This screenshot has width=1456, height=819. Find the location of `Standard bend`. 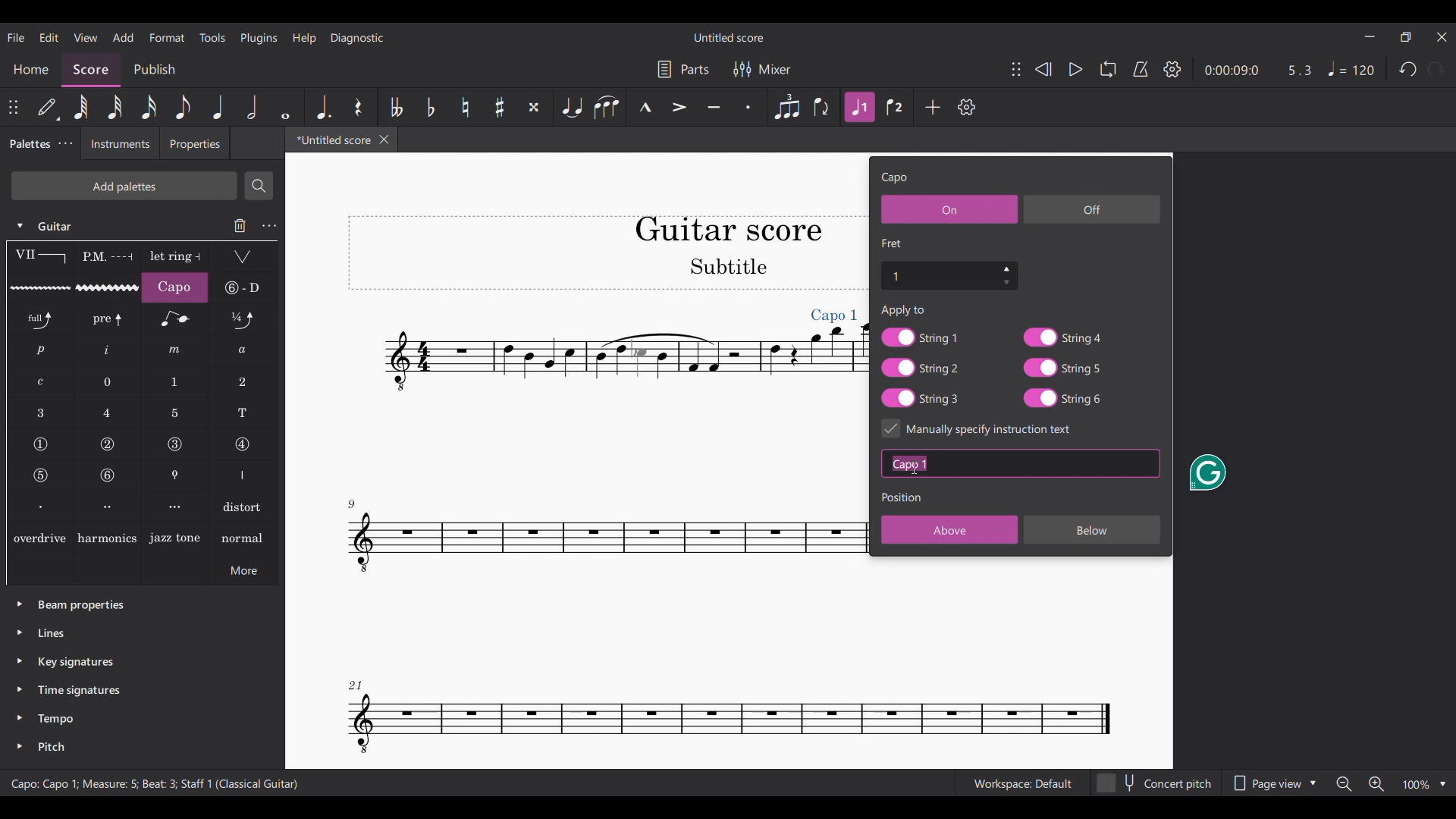

Standard bend is located at coordinates (41, 319).